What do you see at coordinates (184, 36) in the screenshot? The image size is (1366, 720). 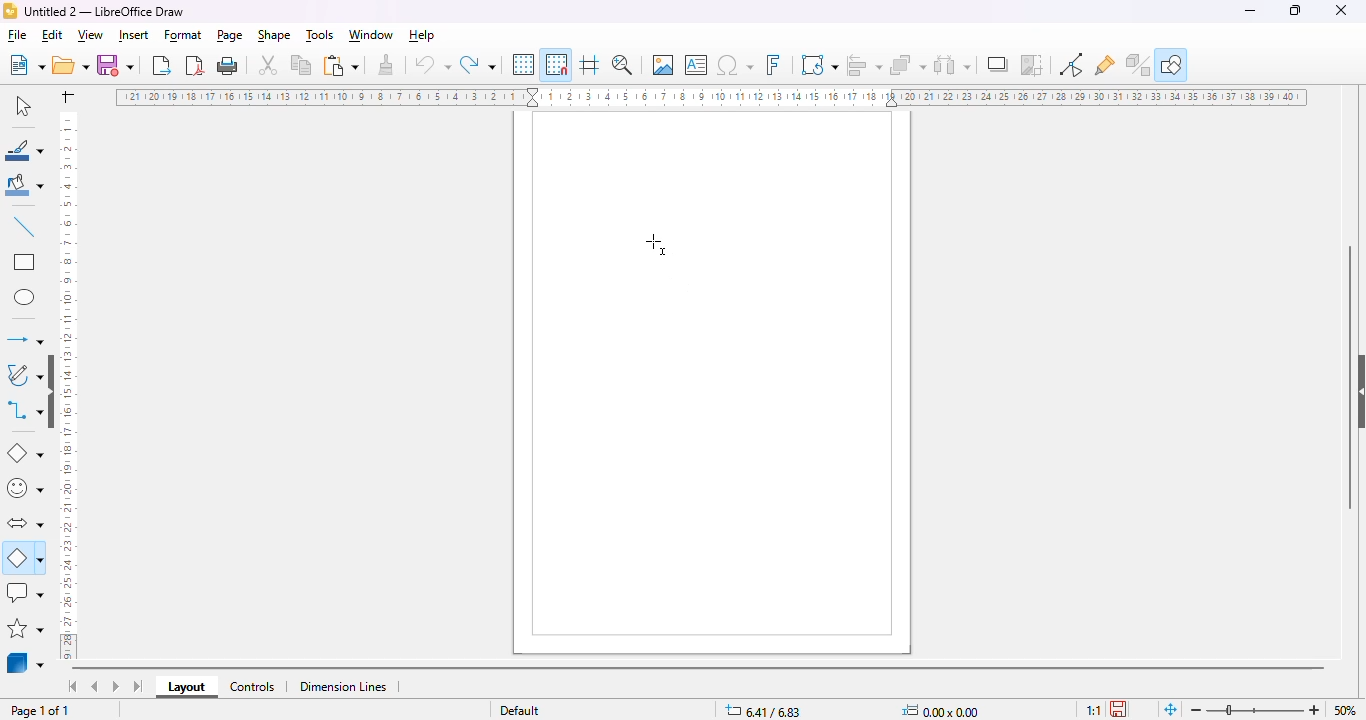 I see `format` at bounding box center [184, 36].